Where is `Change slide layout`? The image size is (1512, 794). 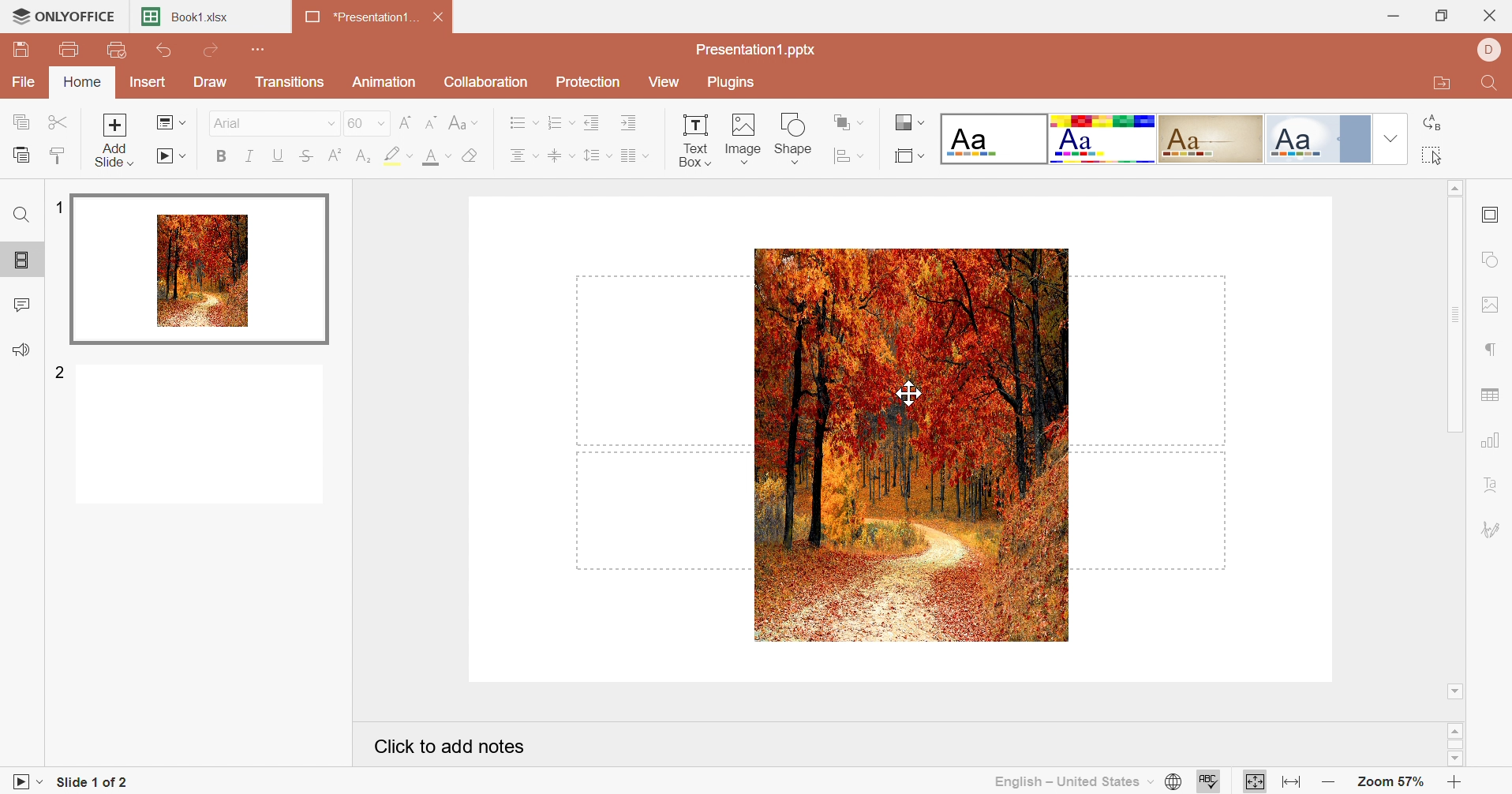
Change slide layout is located at coordinates (173, 124).